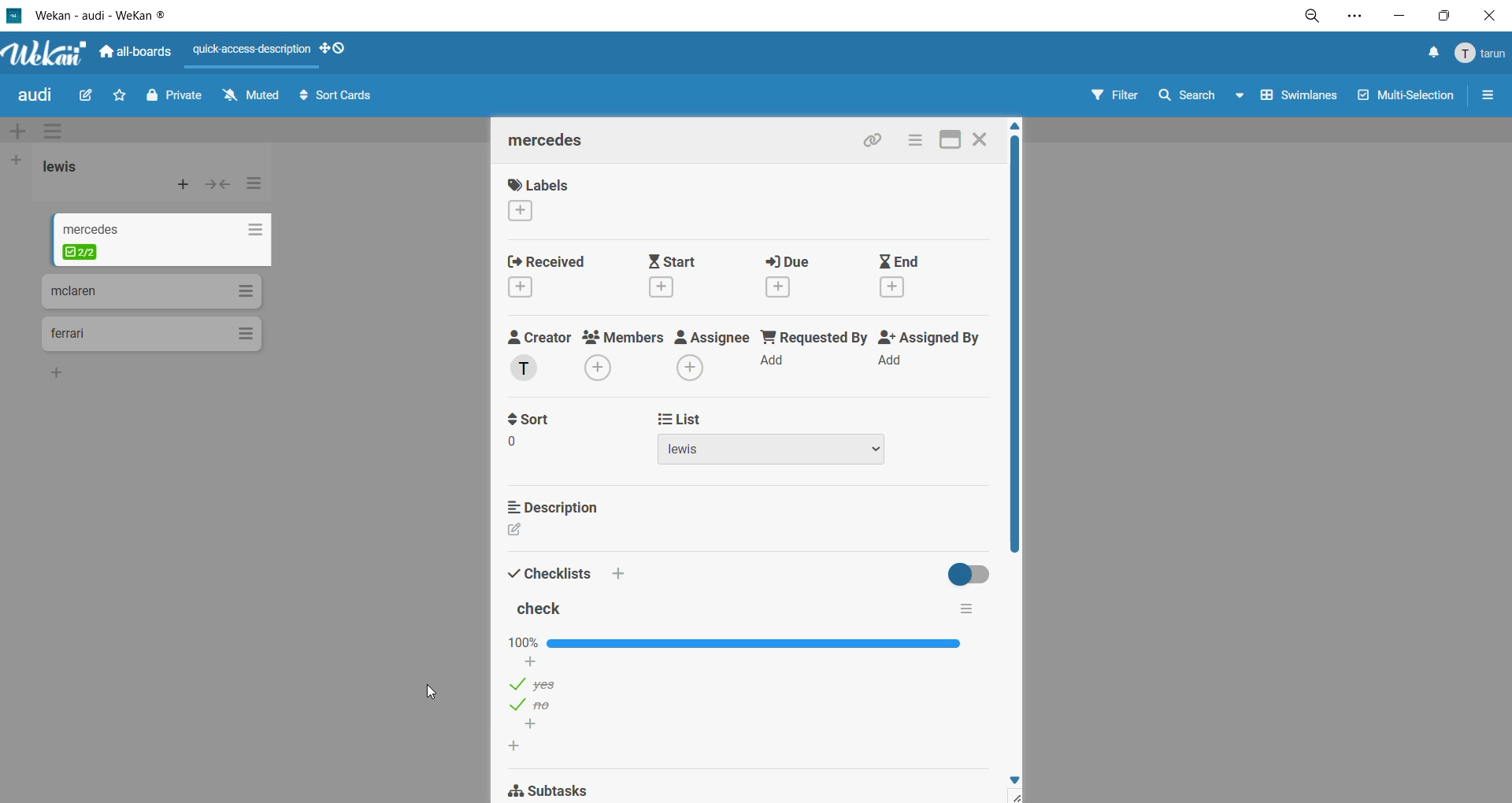  Describe the element at coordinates (1404, 14) in the screenshot. I see `minimize` at that location.